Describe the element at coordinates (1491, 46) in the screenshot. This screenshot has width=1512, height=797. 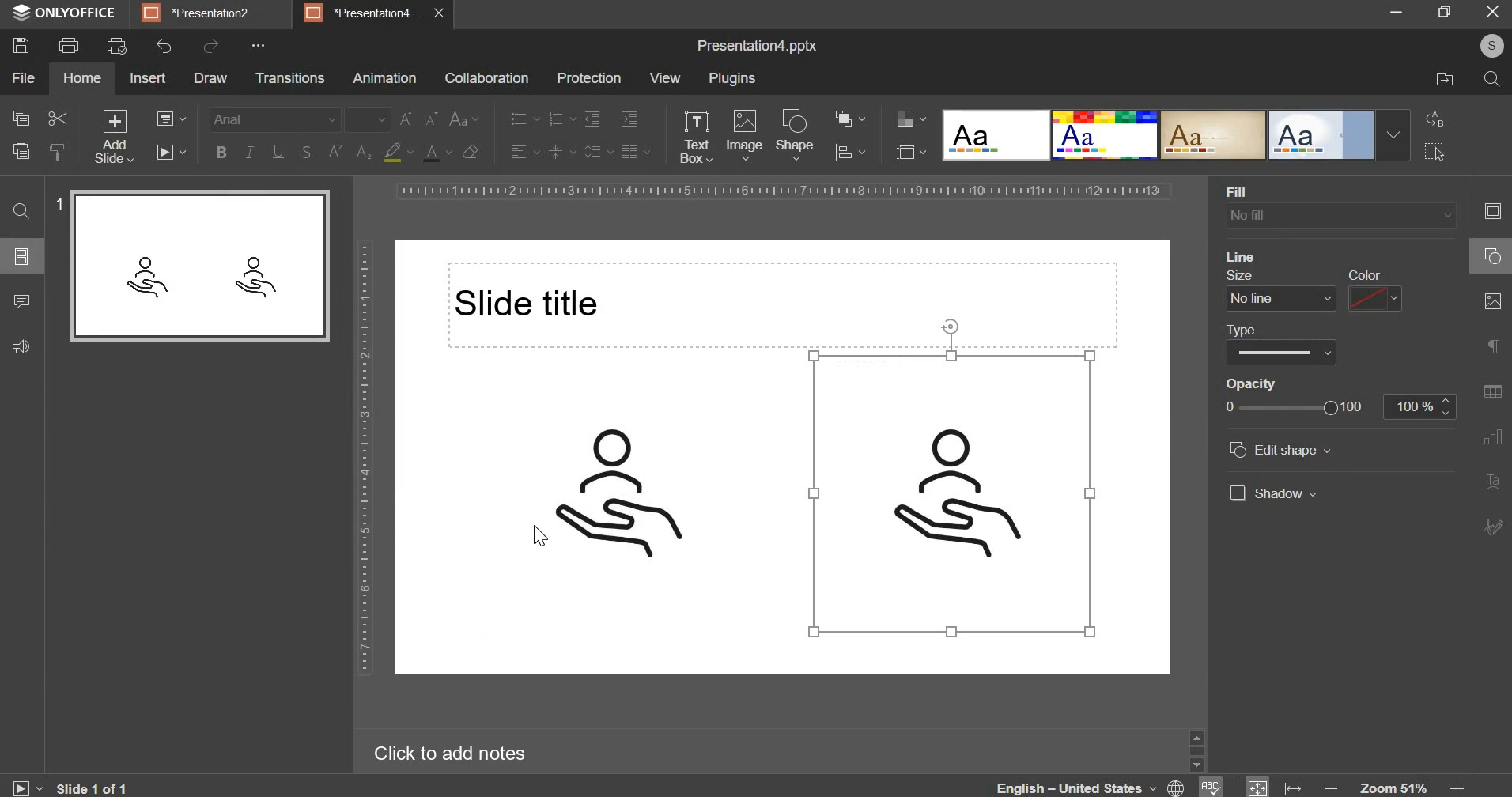
I see `user profile` at that location.